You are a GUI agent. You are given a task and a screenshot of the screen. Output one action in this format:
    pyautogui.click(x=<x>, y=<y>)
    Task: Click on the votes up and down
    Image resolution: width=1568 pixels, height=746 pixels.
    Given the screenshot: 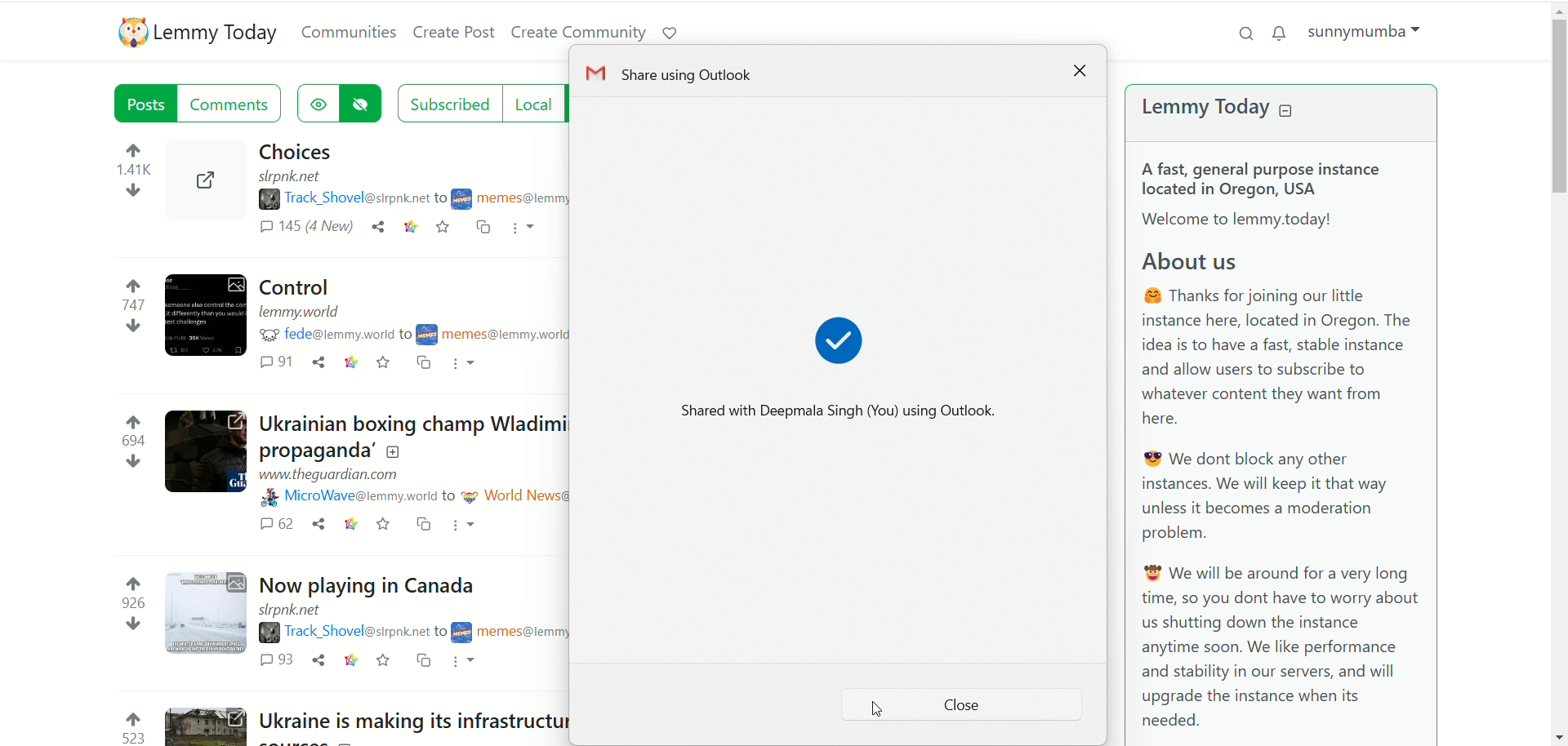 What is the action you would take?
    pyautogui.click(x=134, y=172)
    